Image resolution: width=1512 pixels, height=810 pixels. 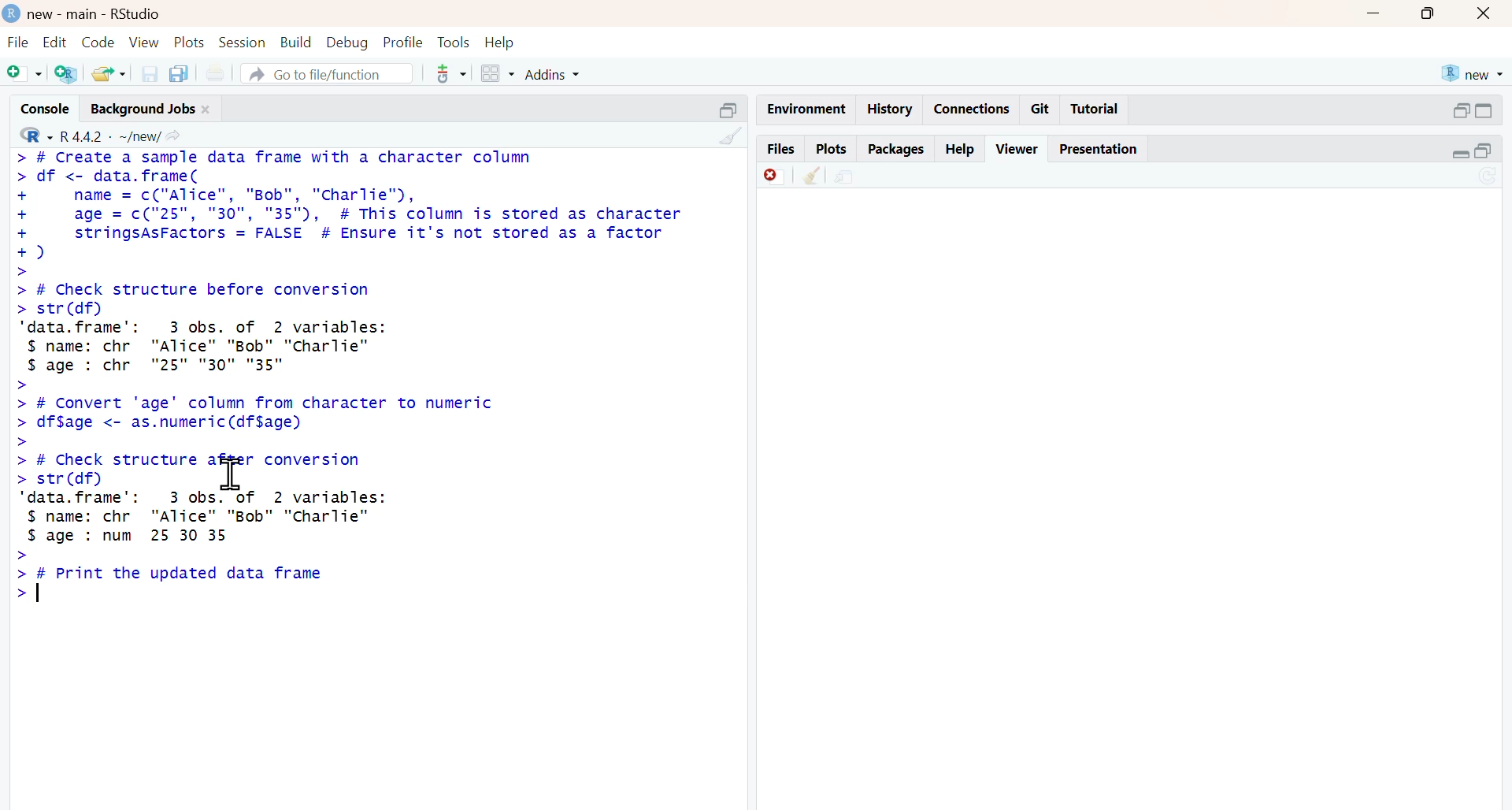 What do you see at coordinates (1490, 177) in the screenshot?
I see `sync` at bounding box center [1490, 177].